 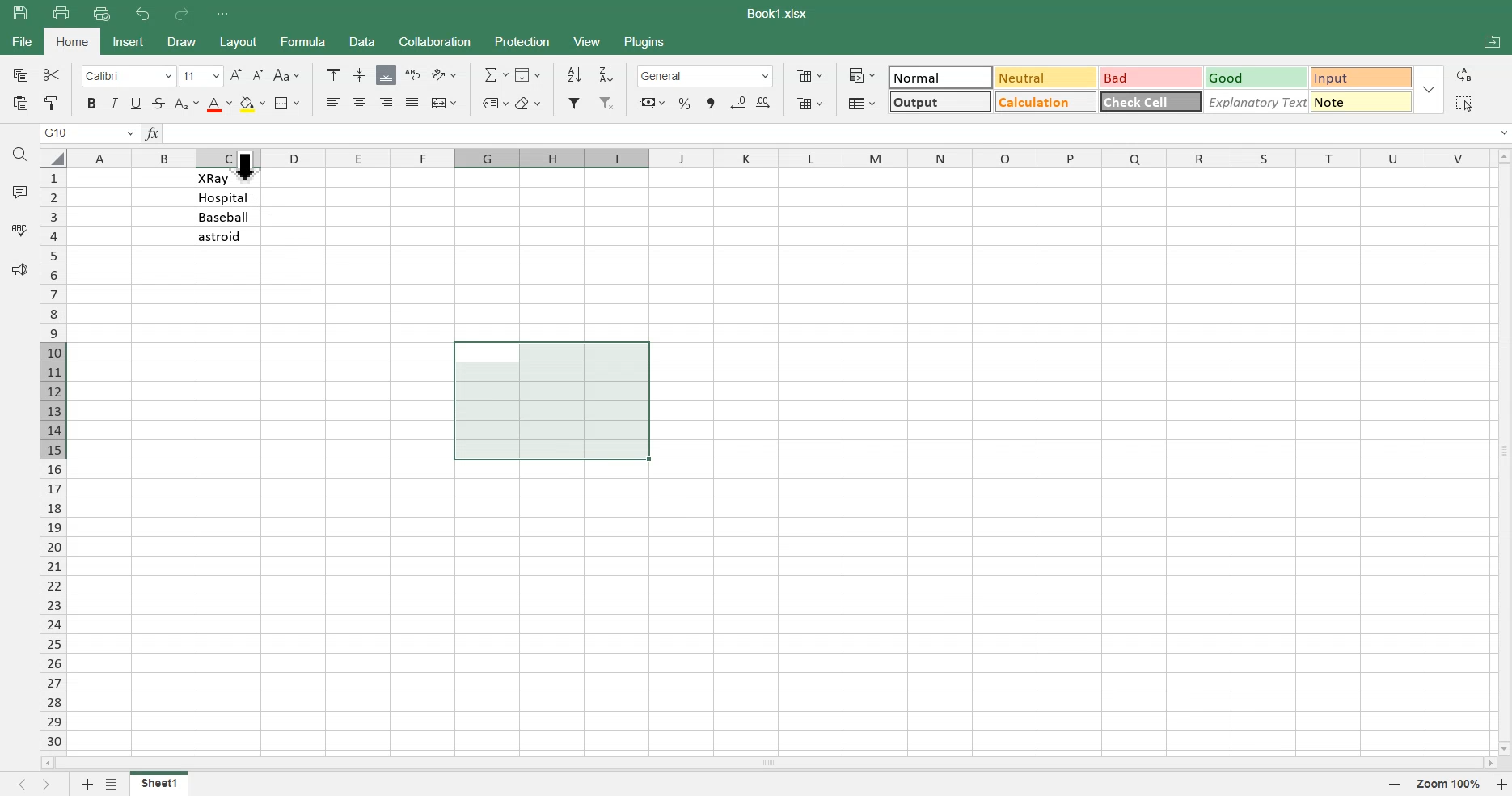 I want to click on Comma Style, so click(x=712, y=104).